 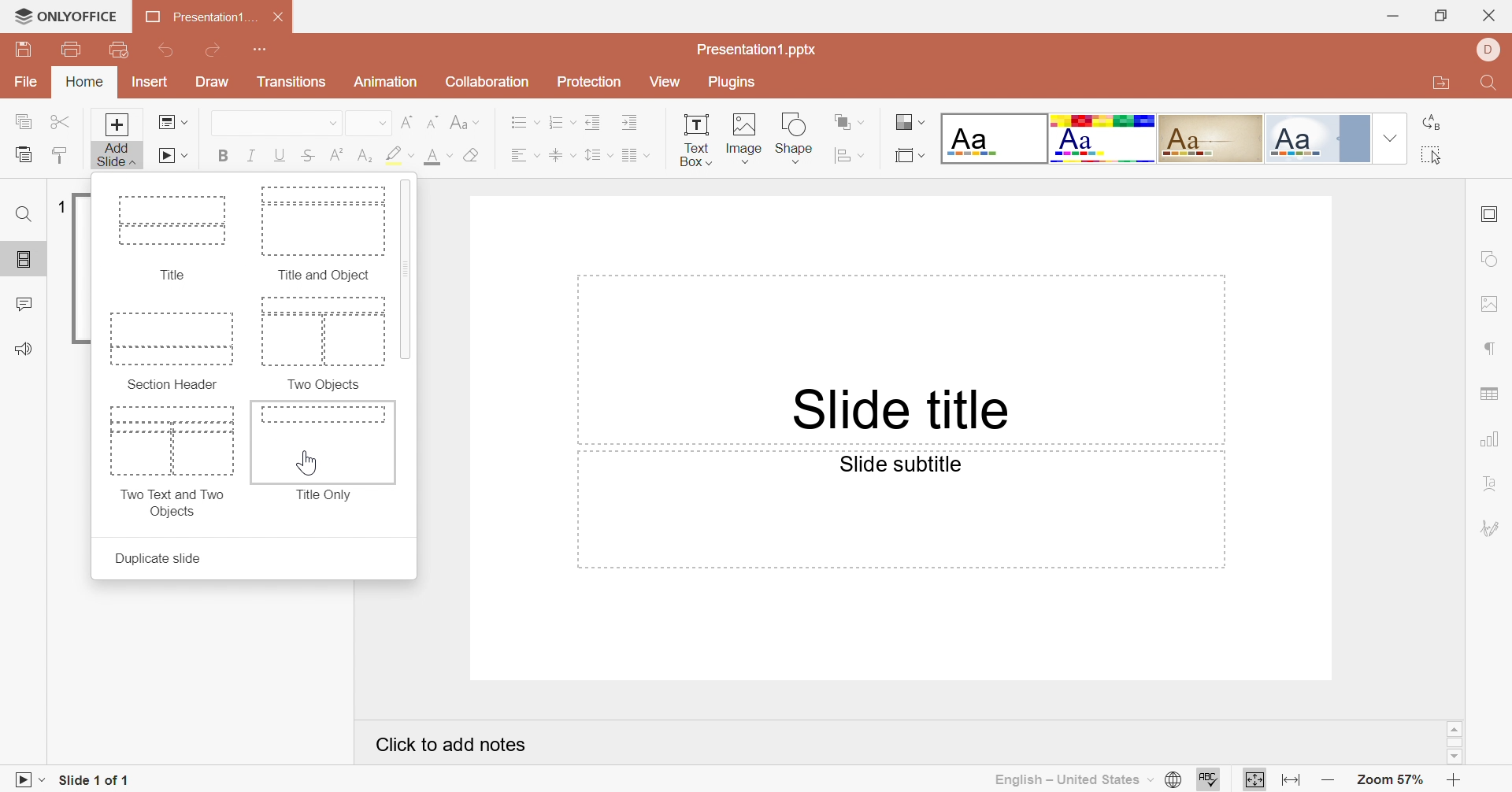 What do you see at coordinates (563, 154) in the screenshot?
I see `vertical align` at bounding box center [563, 154].